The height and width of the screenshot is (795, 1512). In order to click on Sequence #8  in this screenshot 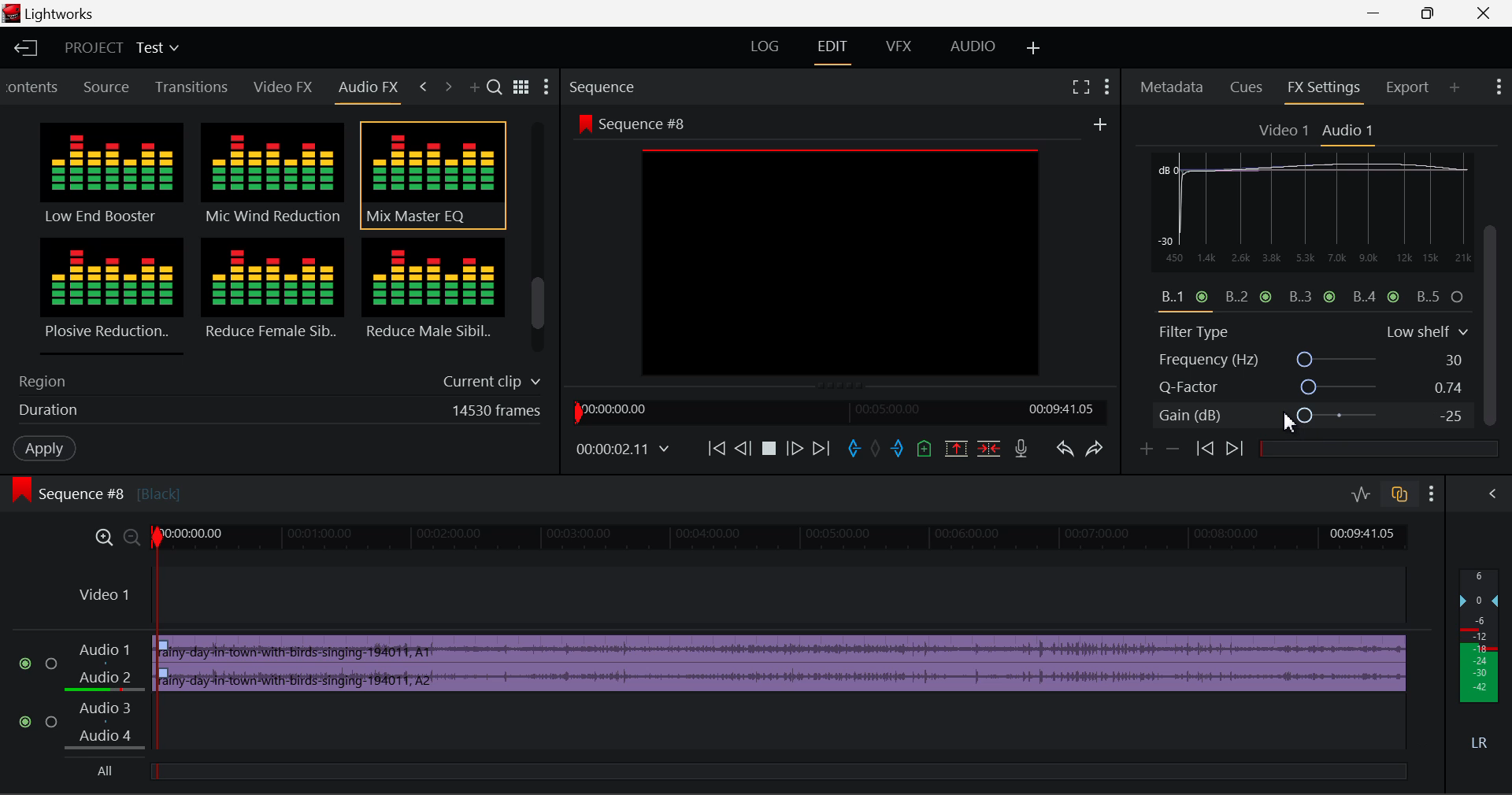, I will do `click(630, 120)`.